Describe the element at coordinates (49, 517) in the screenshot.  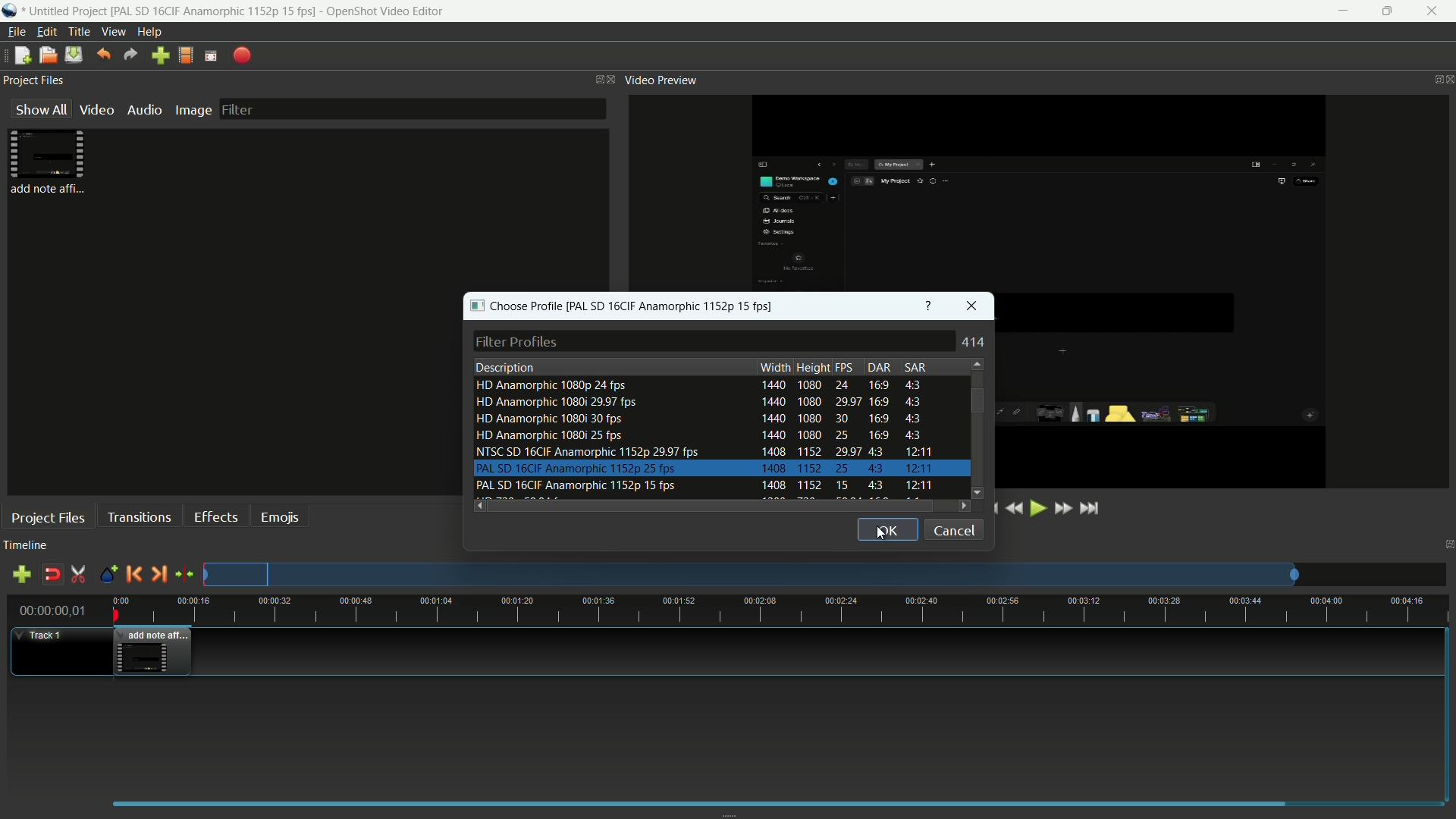
I see `project files` at that location.